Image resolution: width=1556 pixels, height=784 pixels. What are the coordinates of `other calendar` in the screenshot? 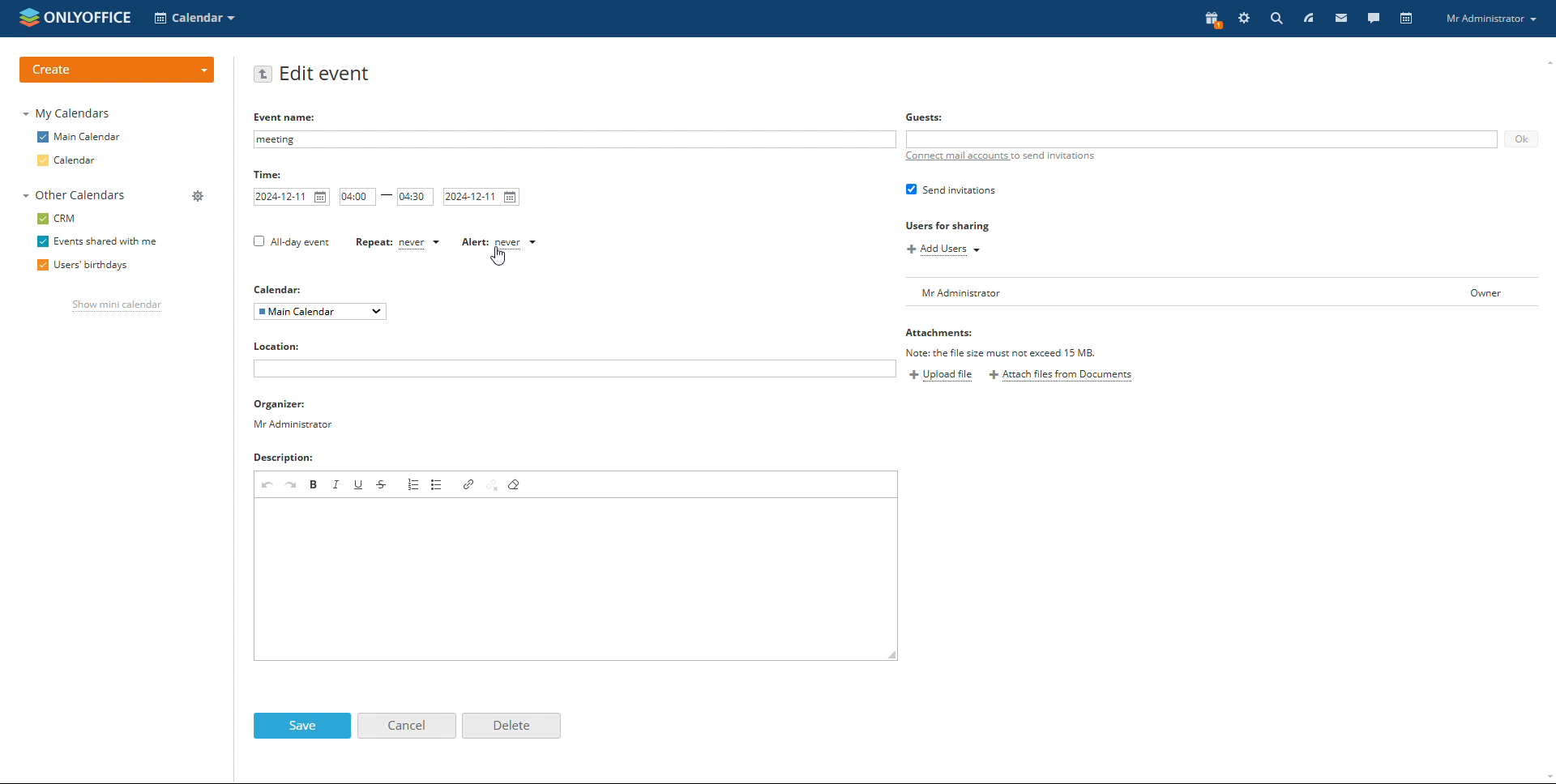 It's located at (73, 196).